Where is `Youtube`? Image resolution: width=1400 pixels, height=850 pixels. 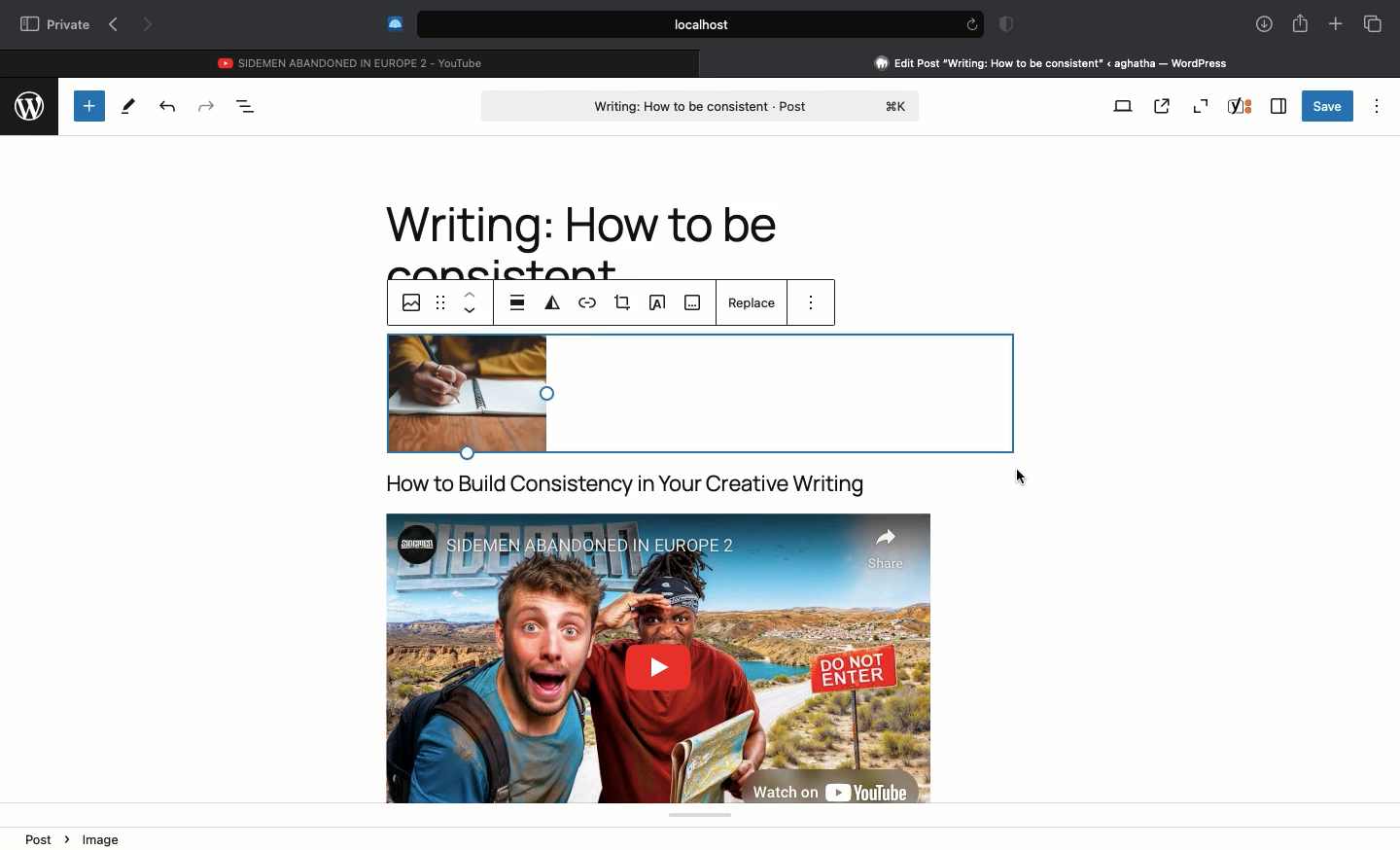
Youtube is located at coordinates (353, 60).